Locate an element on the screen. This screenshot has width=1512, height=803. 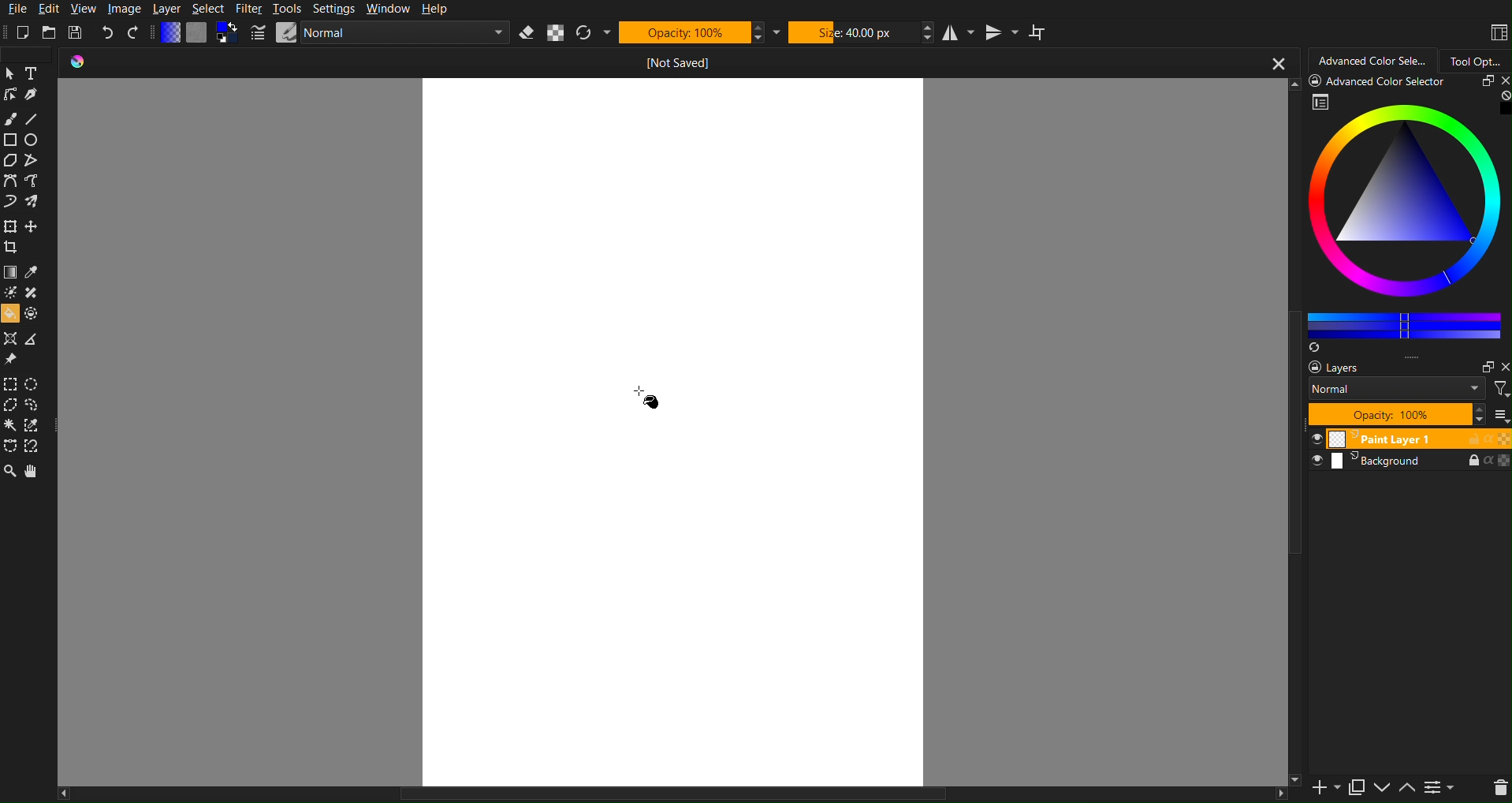
Filter Settings is located at coordinates (1439, 787).